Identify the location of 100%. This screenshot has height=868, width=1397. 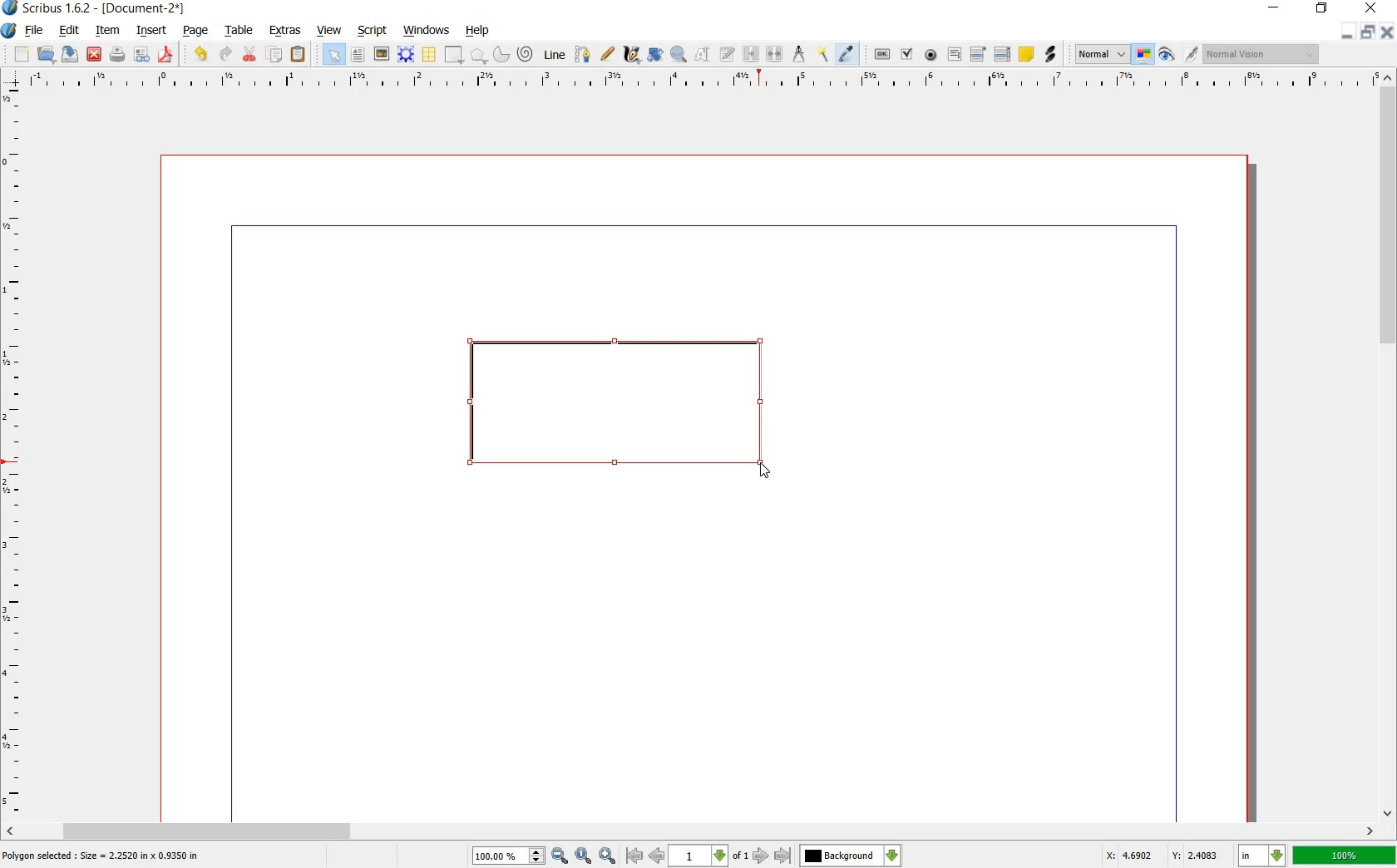
(1344, 856).